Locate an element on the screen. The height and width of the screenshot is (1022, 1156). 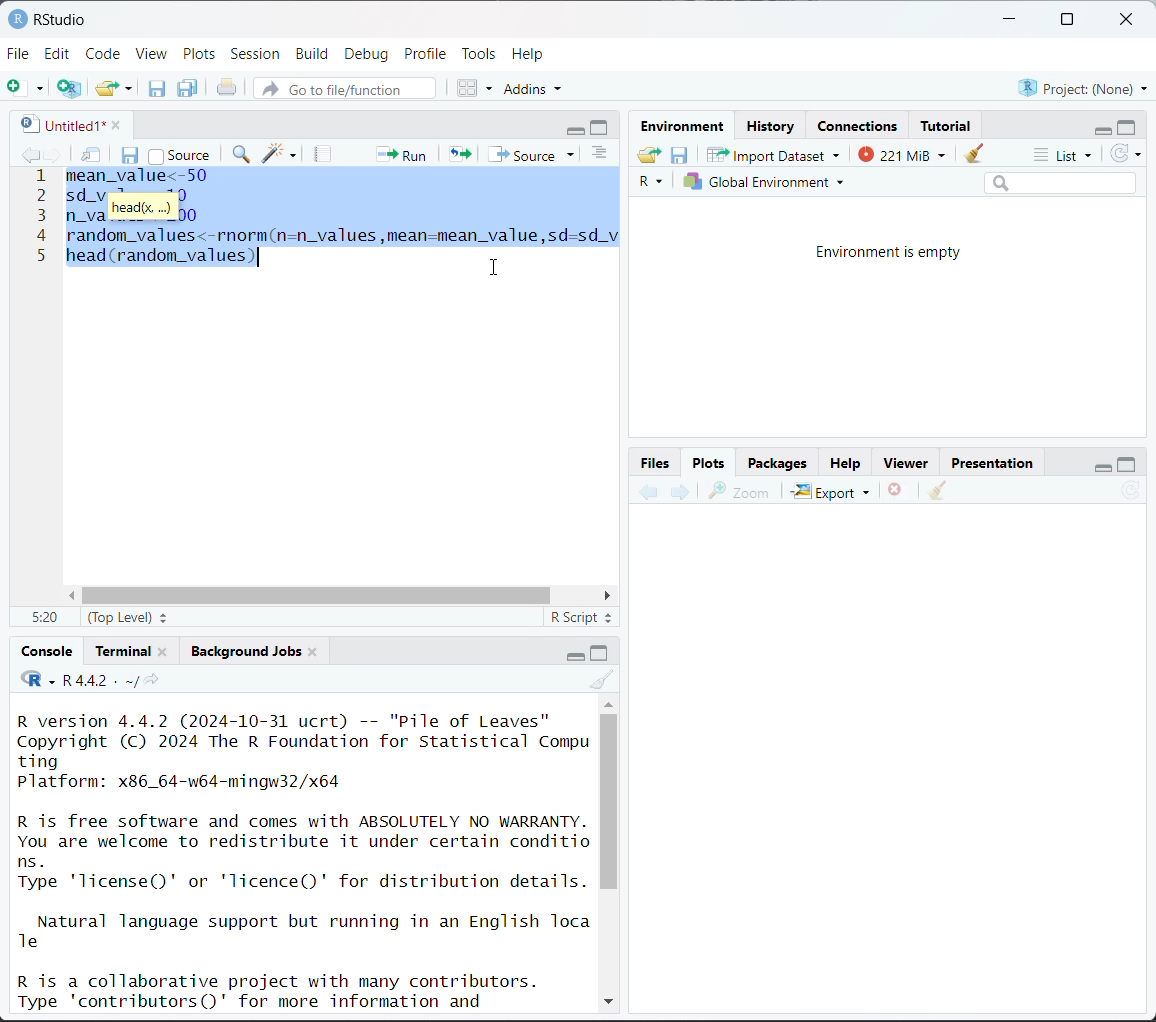
up is located at coordinates (608, 702).